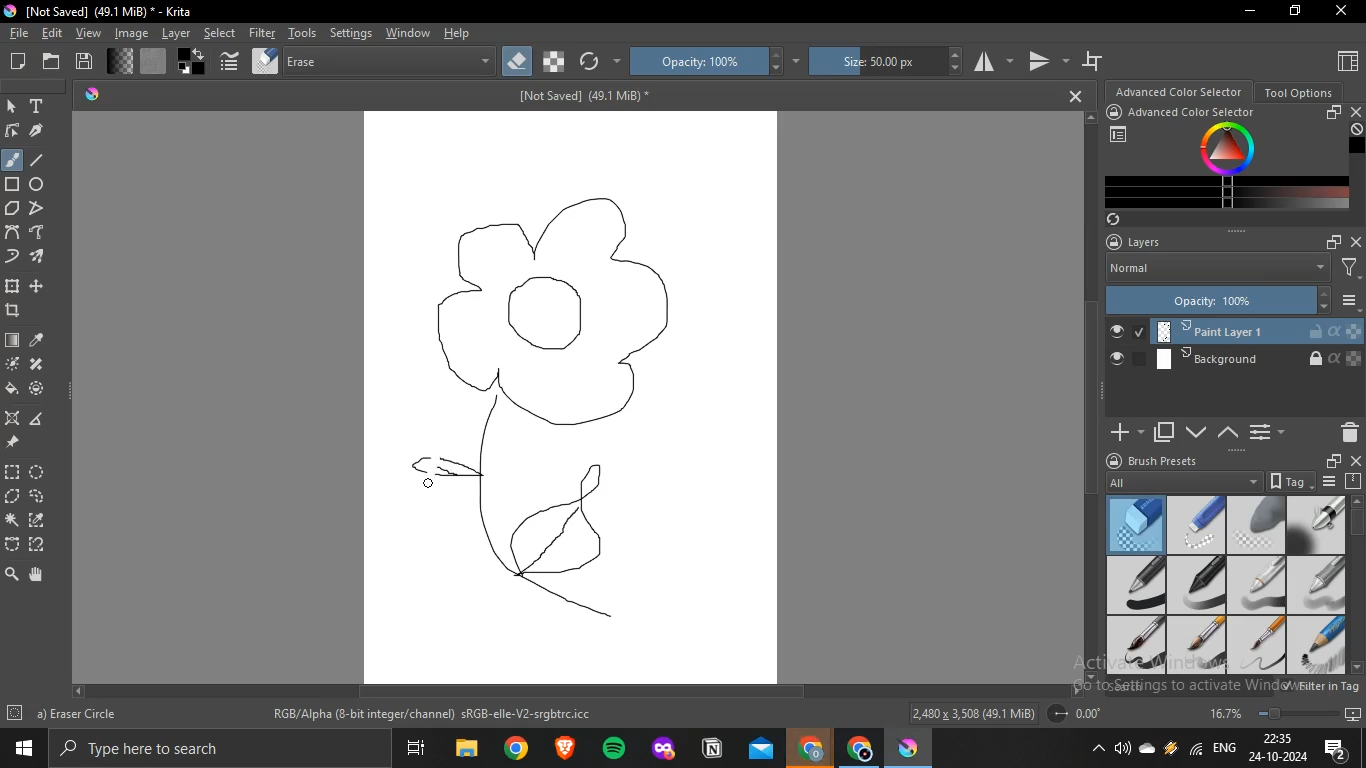  What do you see at coordinates (1321, 584) in the screenshot?
I see `basic 4 opacity` at bounding box center [1321, 584].